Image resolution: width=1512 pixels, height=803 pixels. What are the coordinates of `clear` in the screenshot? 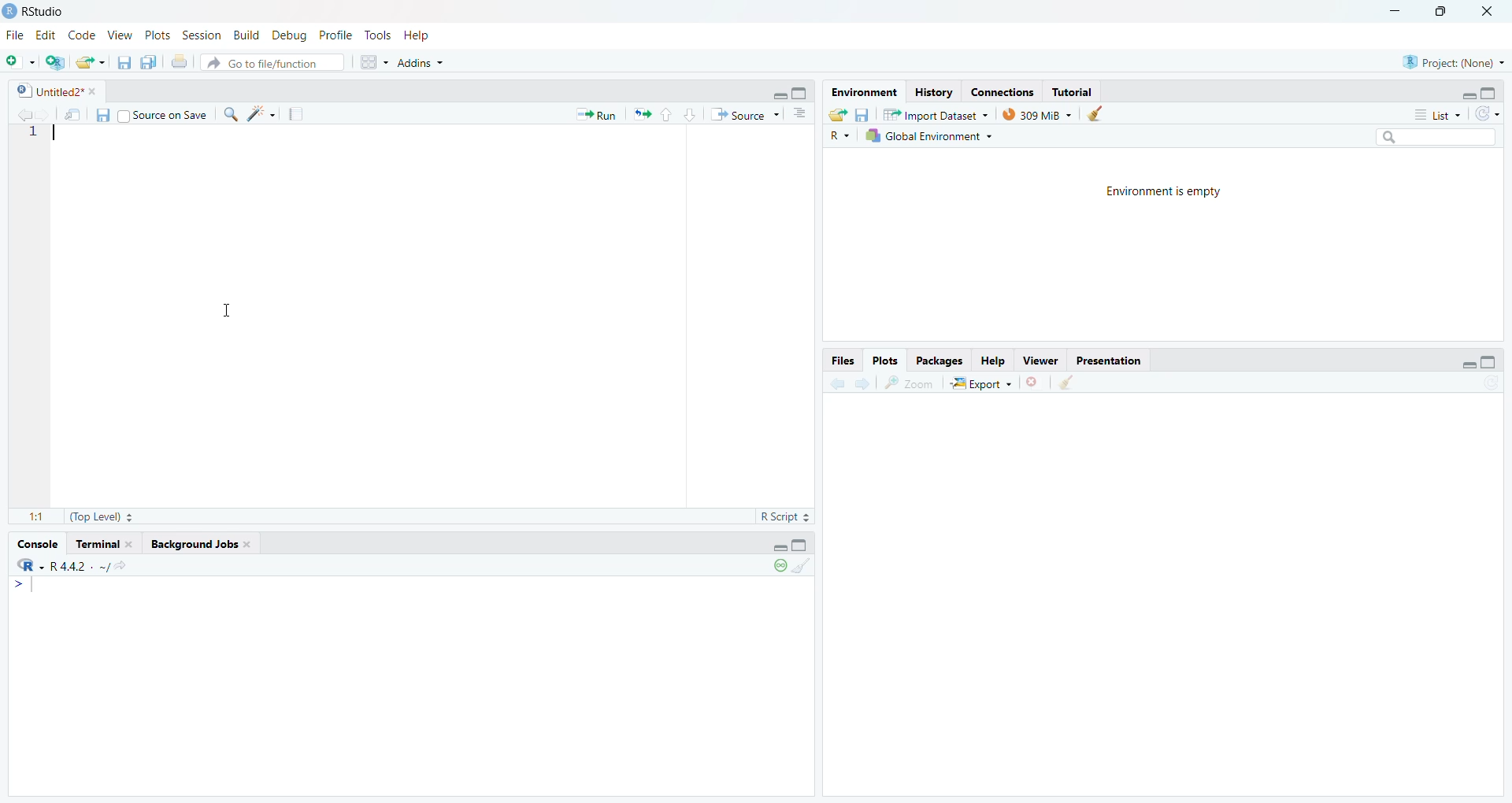 It's located at (1098, 115).